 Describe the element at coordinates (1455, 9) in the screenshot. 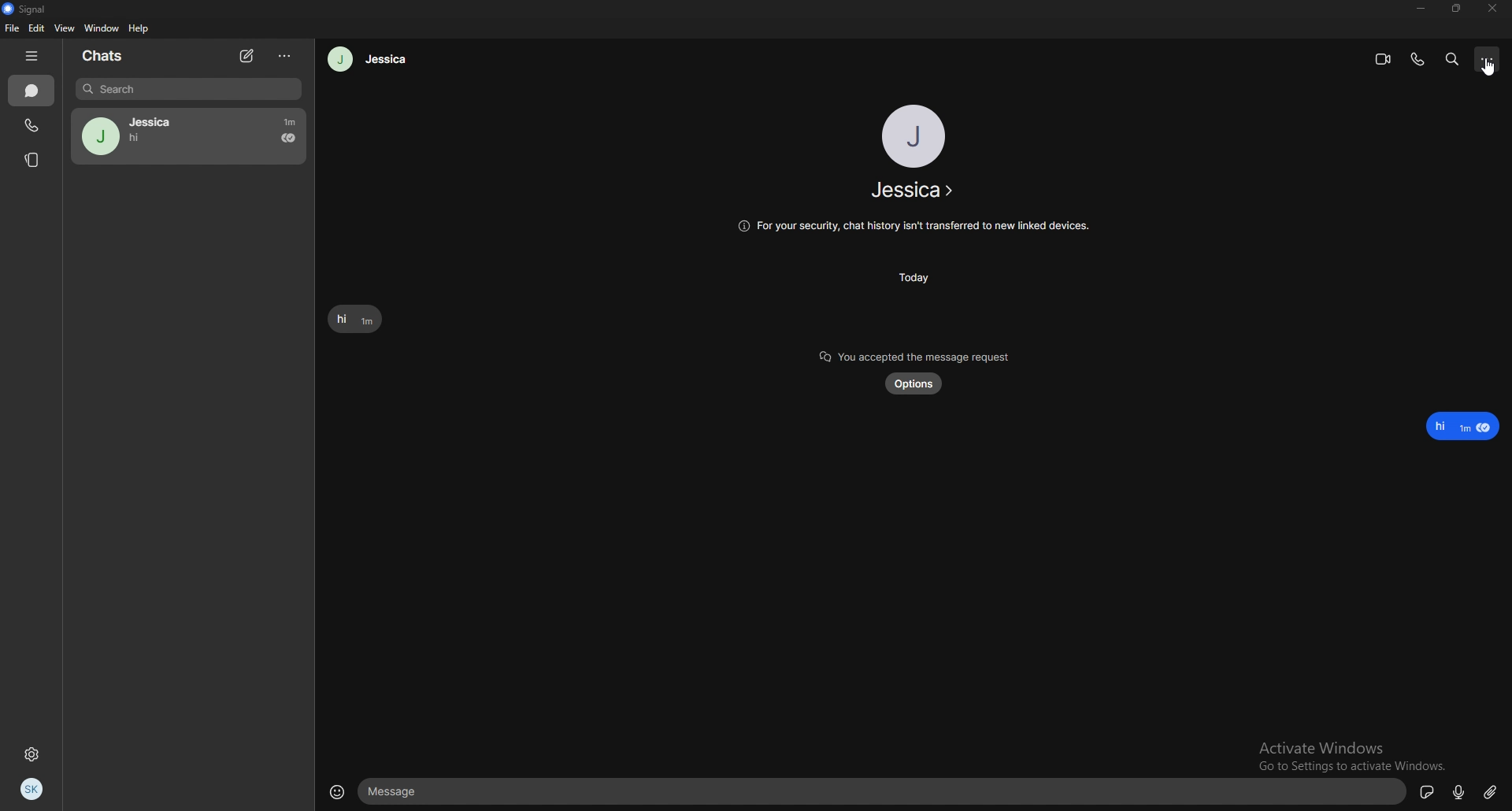

I see `resize` at that location.